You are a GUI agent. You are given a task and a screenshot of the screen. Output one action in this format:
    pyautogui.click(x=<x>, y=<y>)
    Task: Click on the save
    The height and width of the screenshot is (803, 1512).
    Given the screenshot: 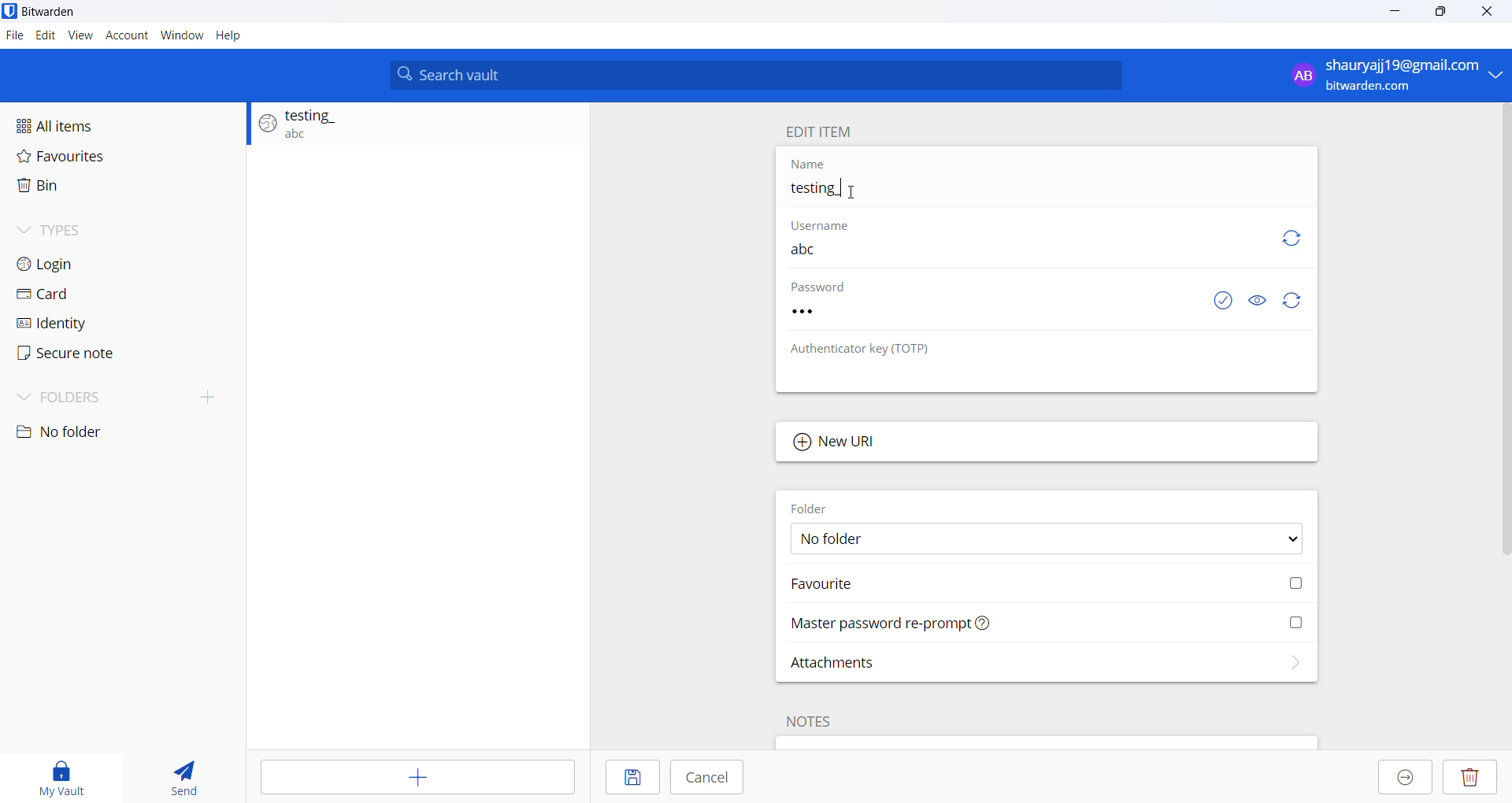 What is the action you would take?
    pyautogui.click(x=632, y=779)
    